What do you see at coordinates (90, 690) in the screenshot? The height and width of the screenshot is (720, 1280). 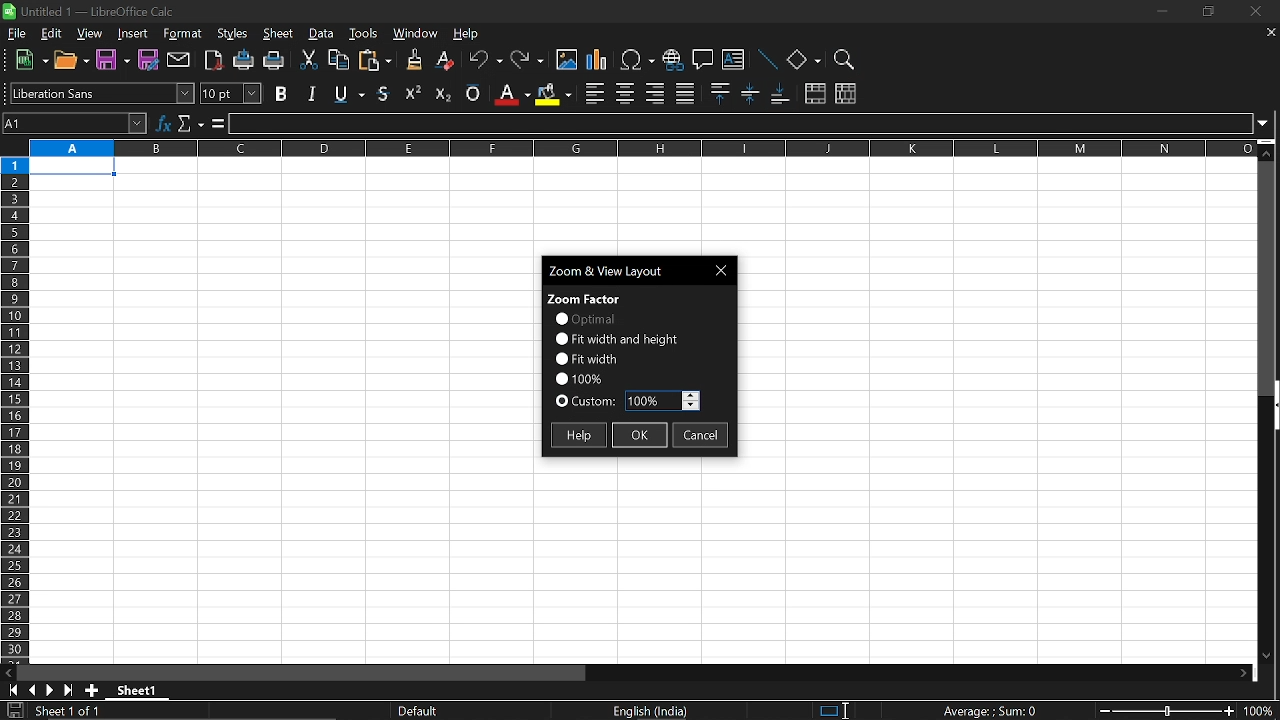 I see `add sheet` at bounding box center [90, 690].